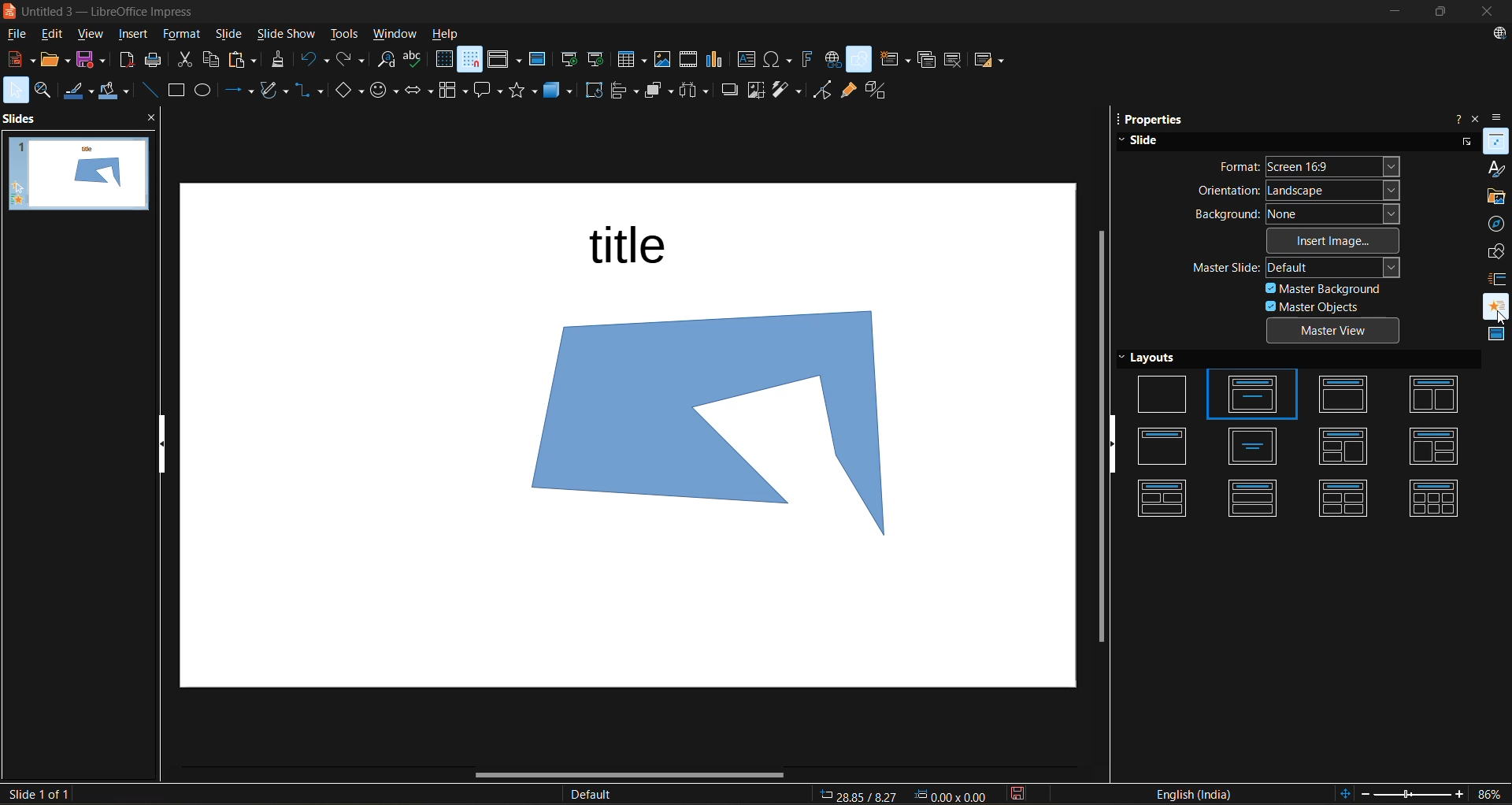  Describe the element at coordinates (754, 91) in the screenshot. I see `crop image` at that location.